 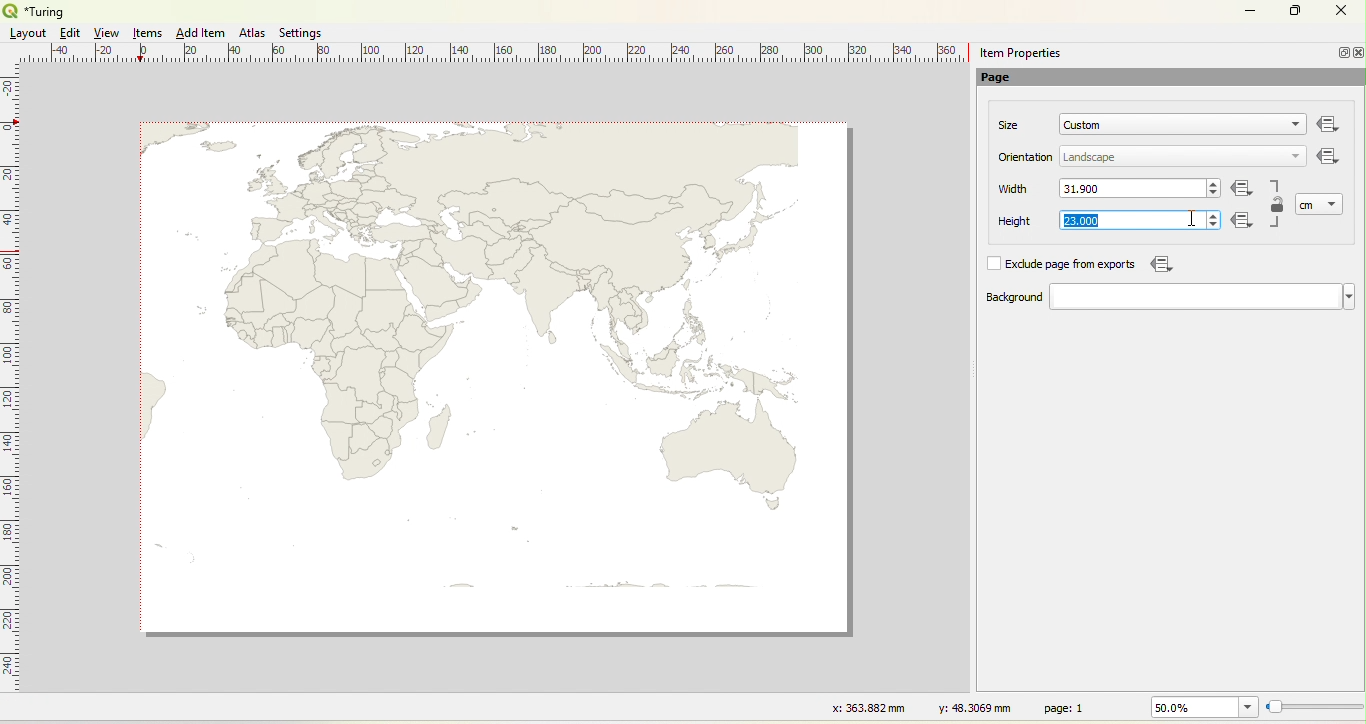 I want to click on 22.000, so click(x=1080, y=221).